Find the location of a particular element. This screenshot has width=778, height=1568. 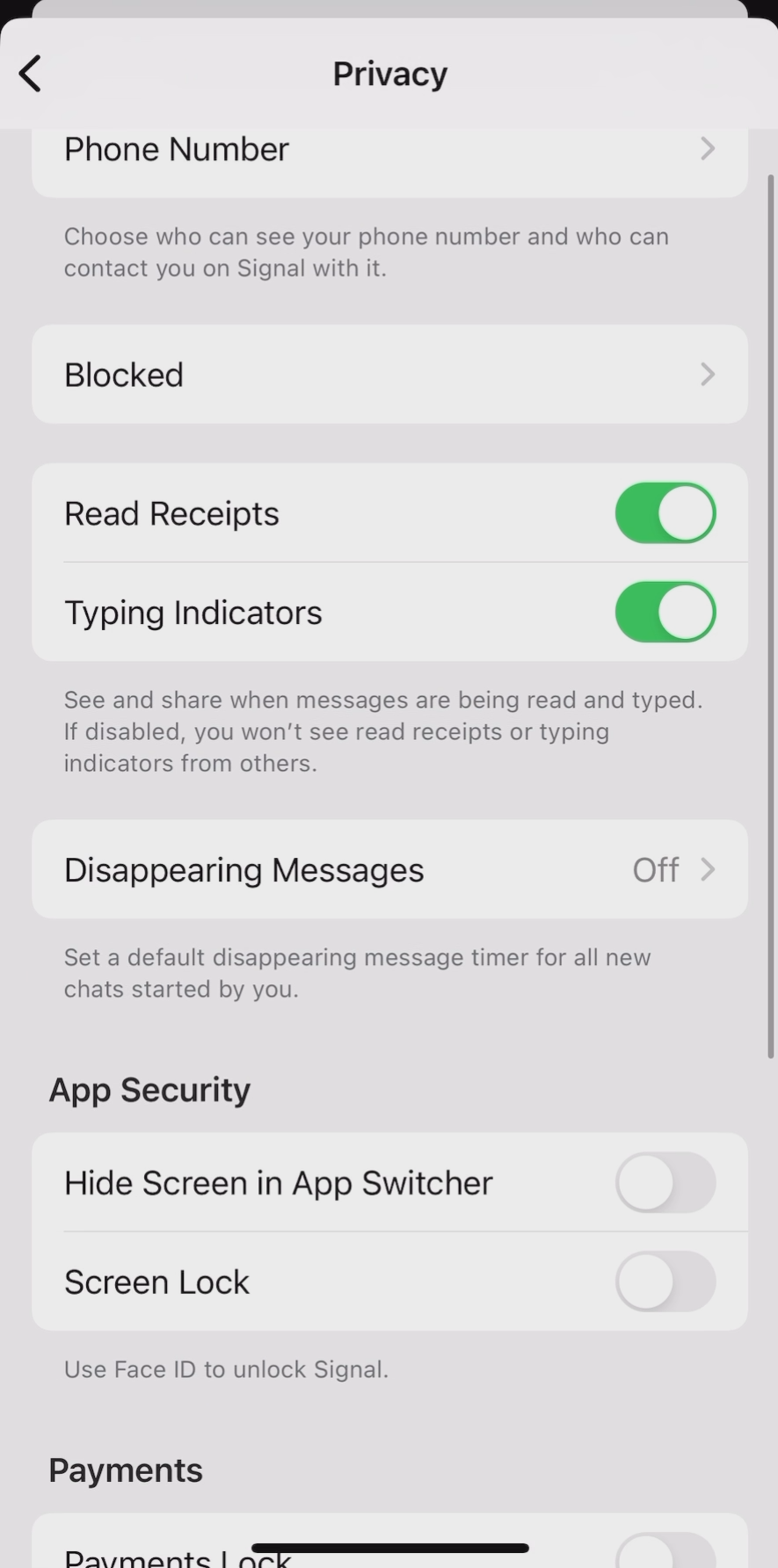

typing indicators enabled is located at coordinates (389, 612).